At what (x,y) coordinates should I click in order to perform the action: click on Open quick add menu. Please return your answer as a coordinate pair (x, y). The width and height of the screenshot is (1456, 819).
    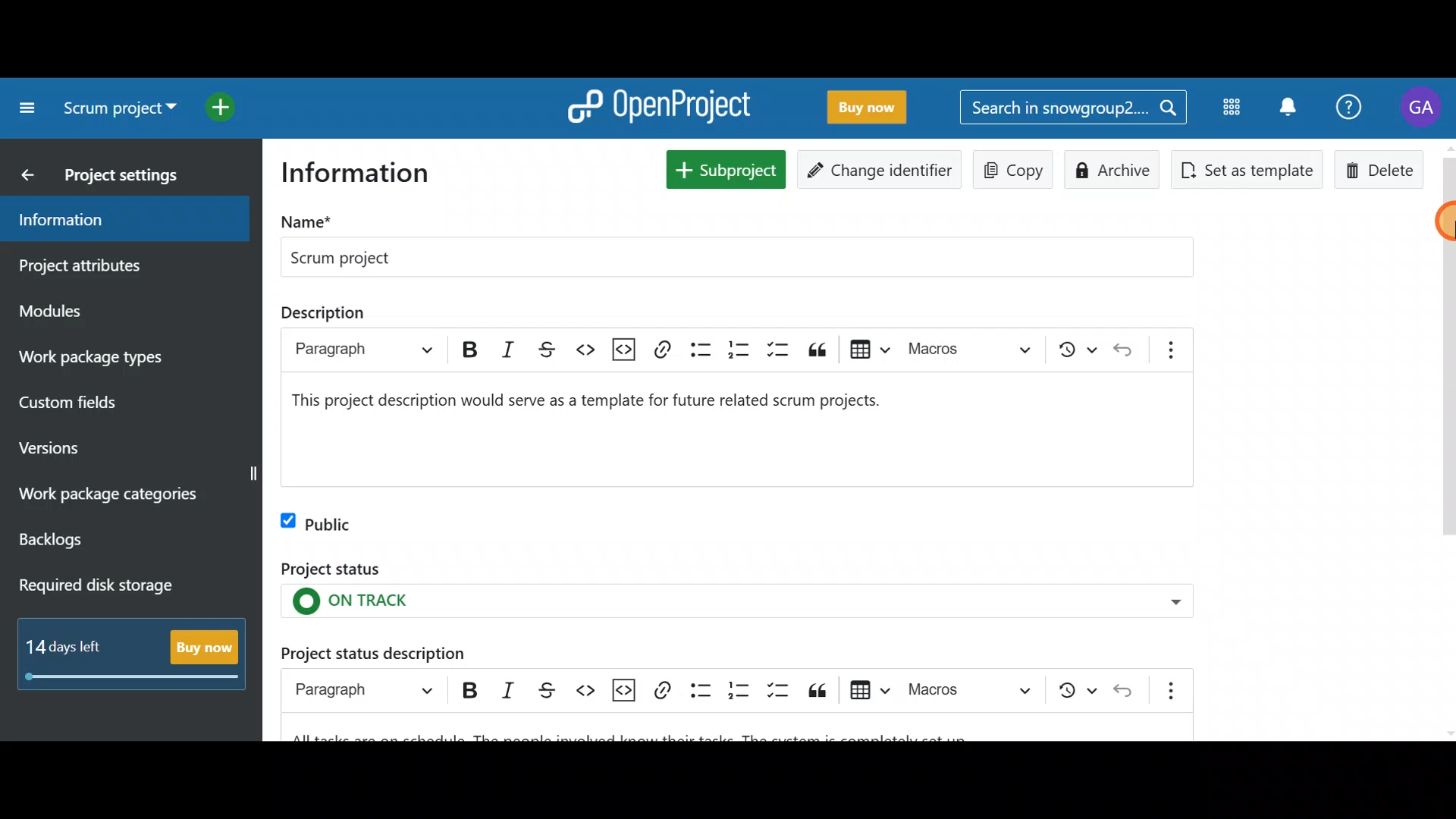
    Looking at the image, I should click on (235, 108).